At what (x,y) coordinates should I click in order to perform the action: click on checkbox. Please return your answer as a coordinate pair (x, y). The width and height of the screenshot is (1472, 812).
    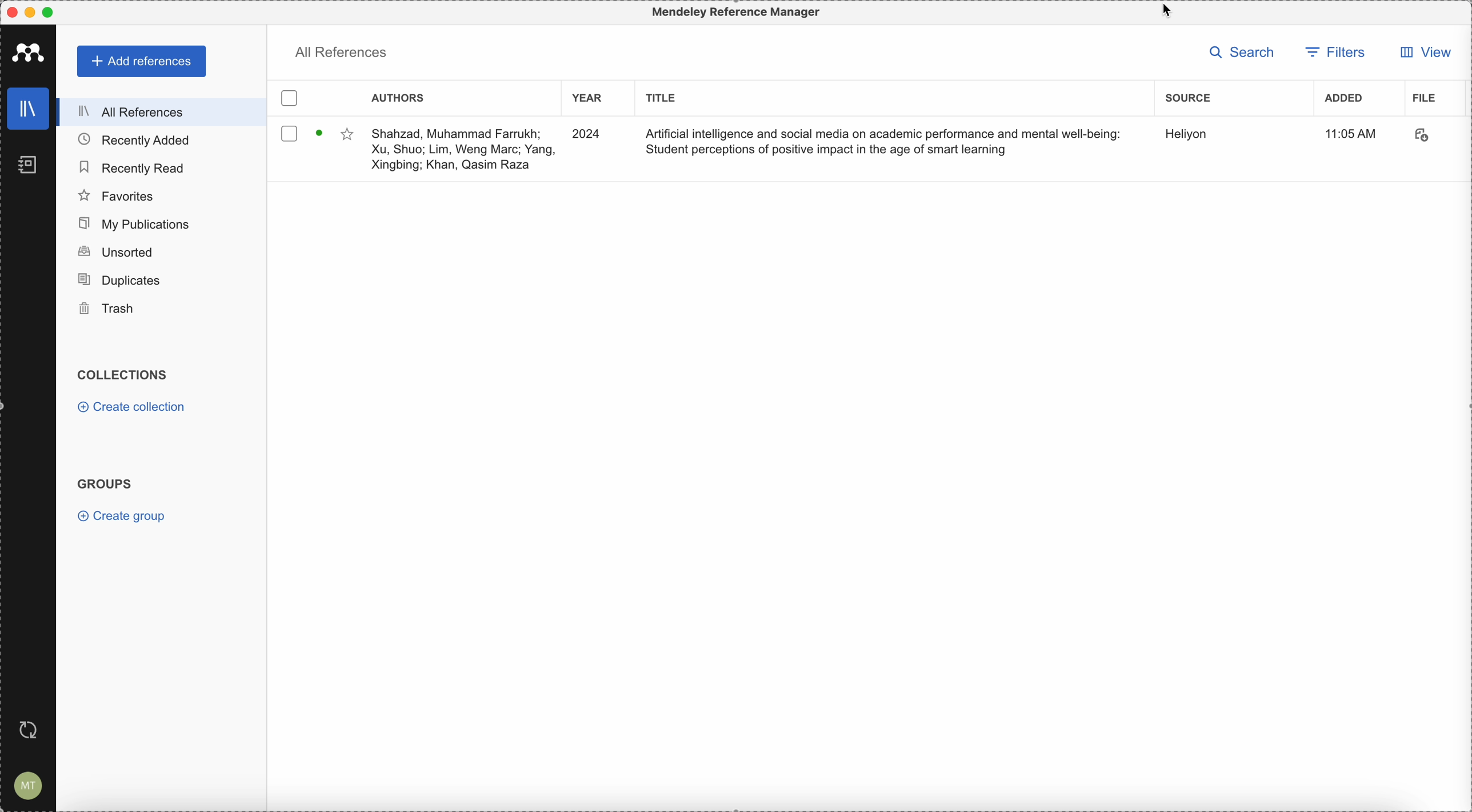
    Looking at the image, I should click on (288, 133).